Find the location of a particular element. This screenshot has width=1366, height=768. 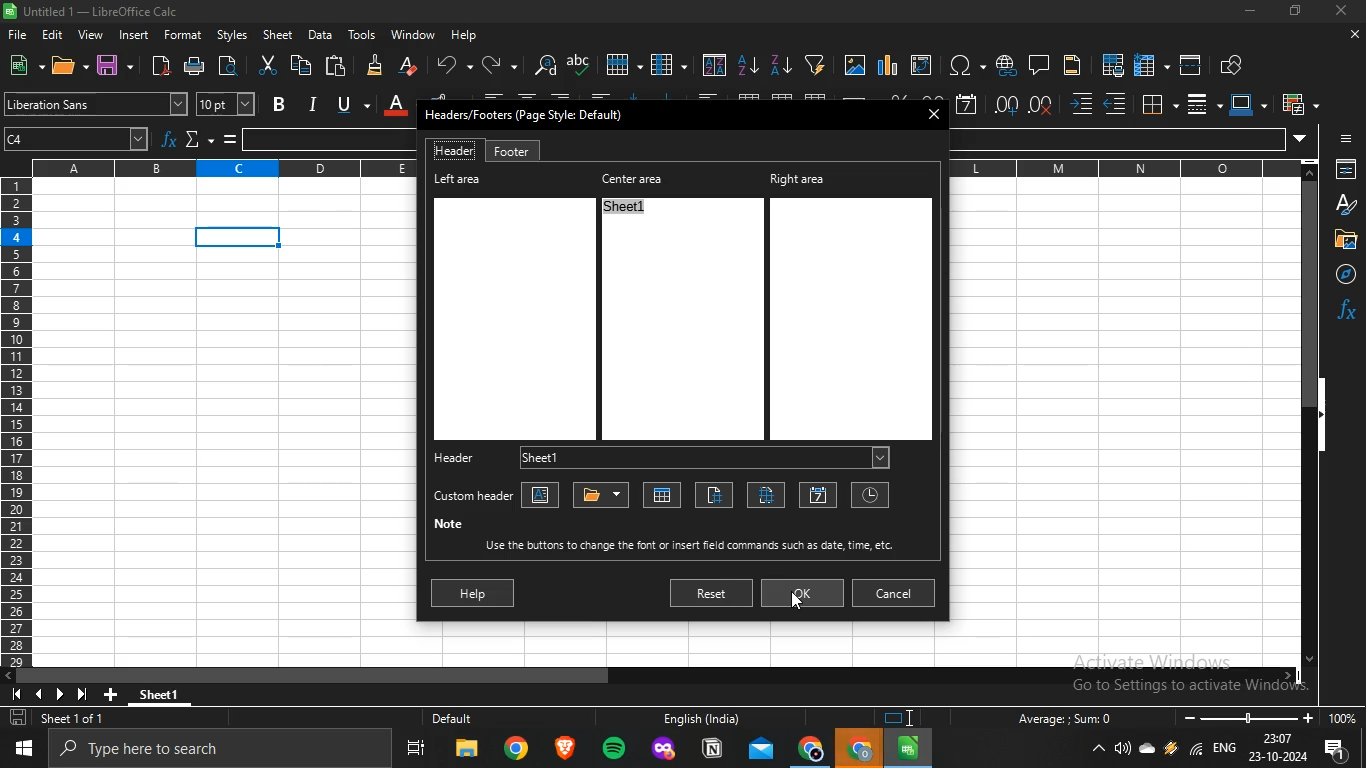

google chrome is located at coordinates (811, 750).